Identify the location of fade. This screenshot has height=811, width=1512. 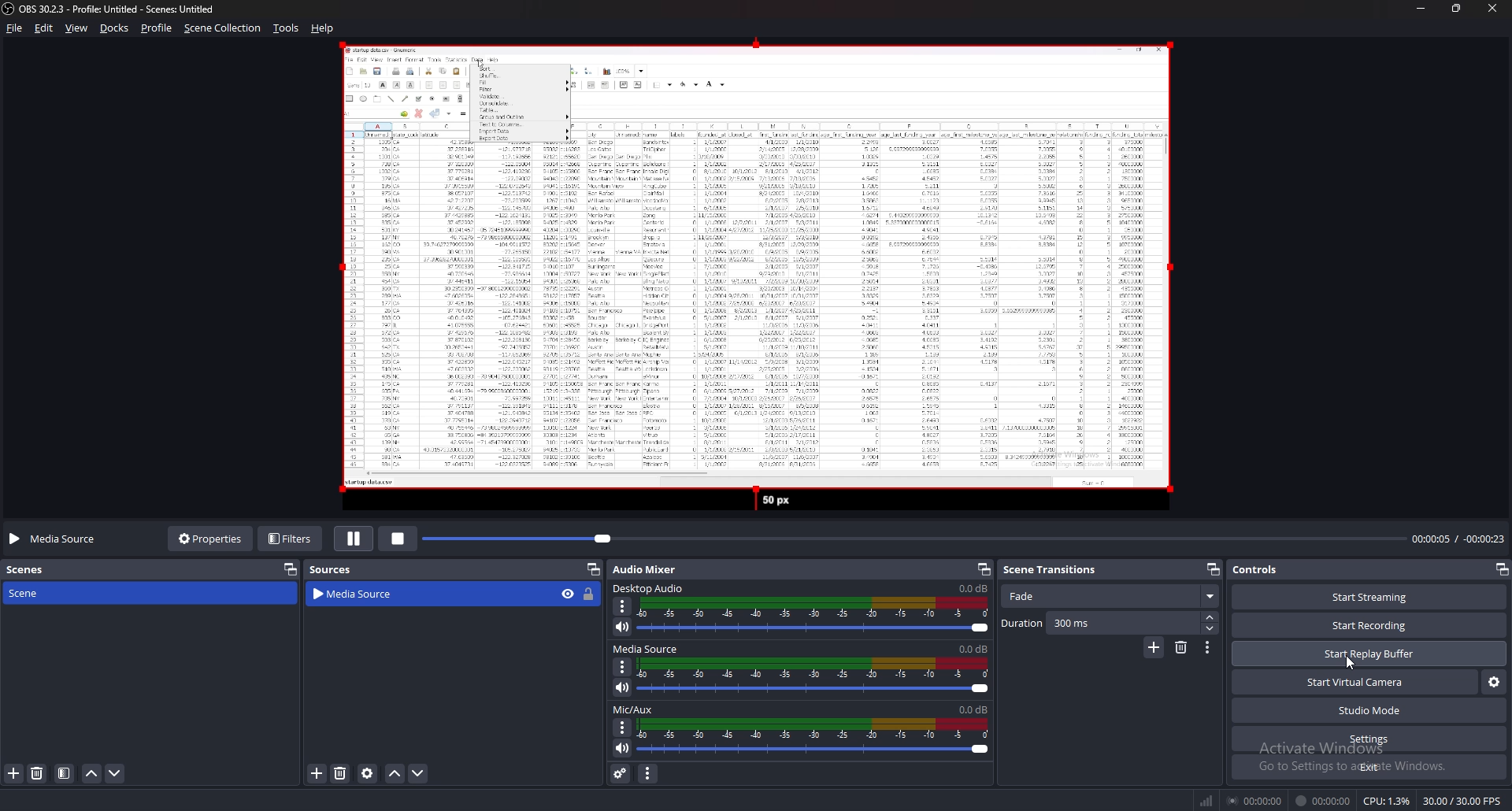
(1110, 597).